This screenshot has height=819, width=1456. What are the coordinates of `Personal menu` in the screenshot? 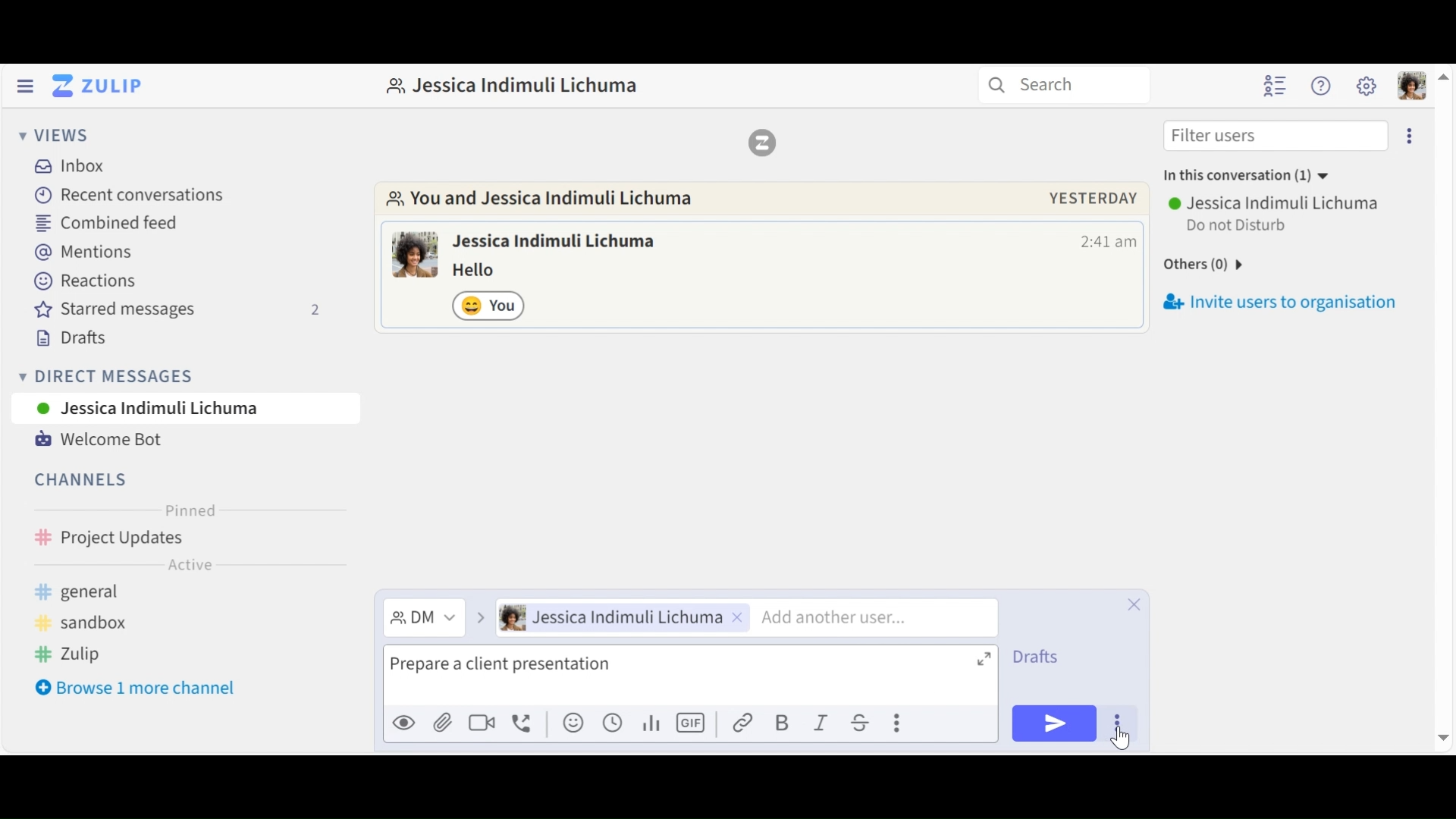 It's located at (1409, 85).